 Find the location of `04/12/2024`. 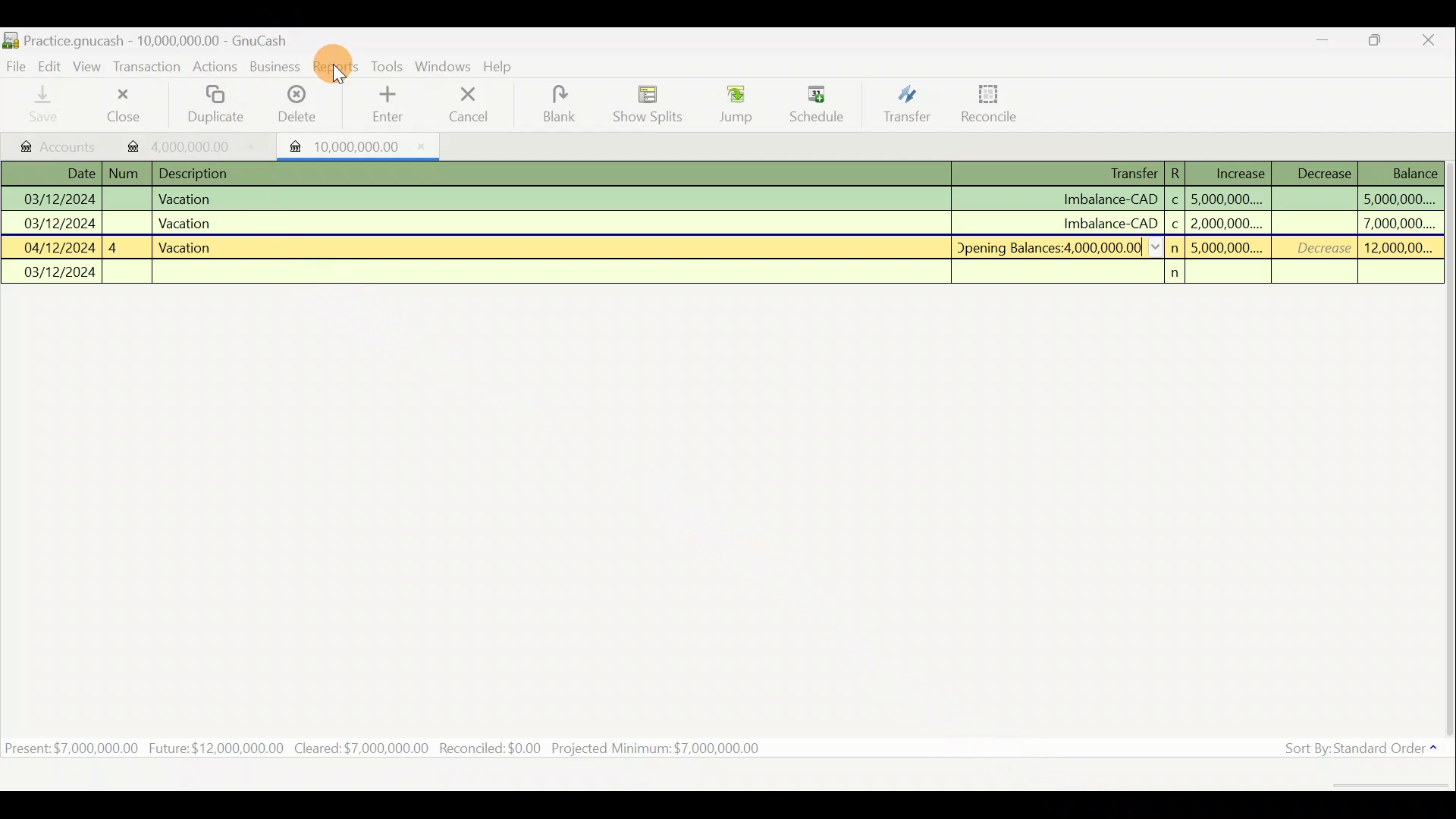

04/12/2024 is located at coordinates (59, 246).